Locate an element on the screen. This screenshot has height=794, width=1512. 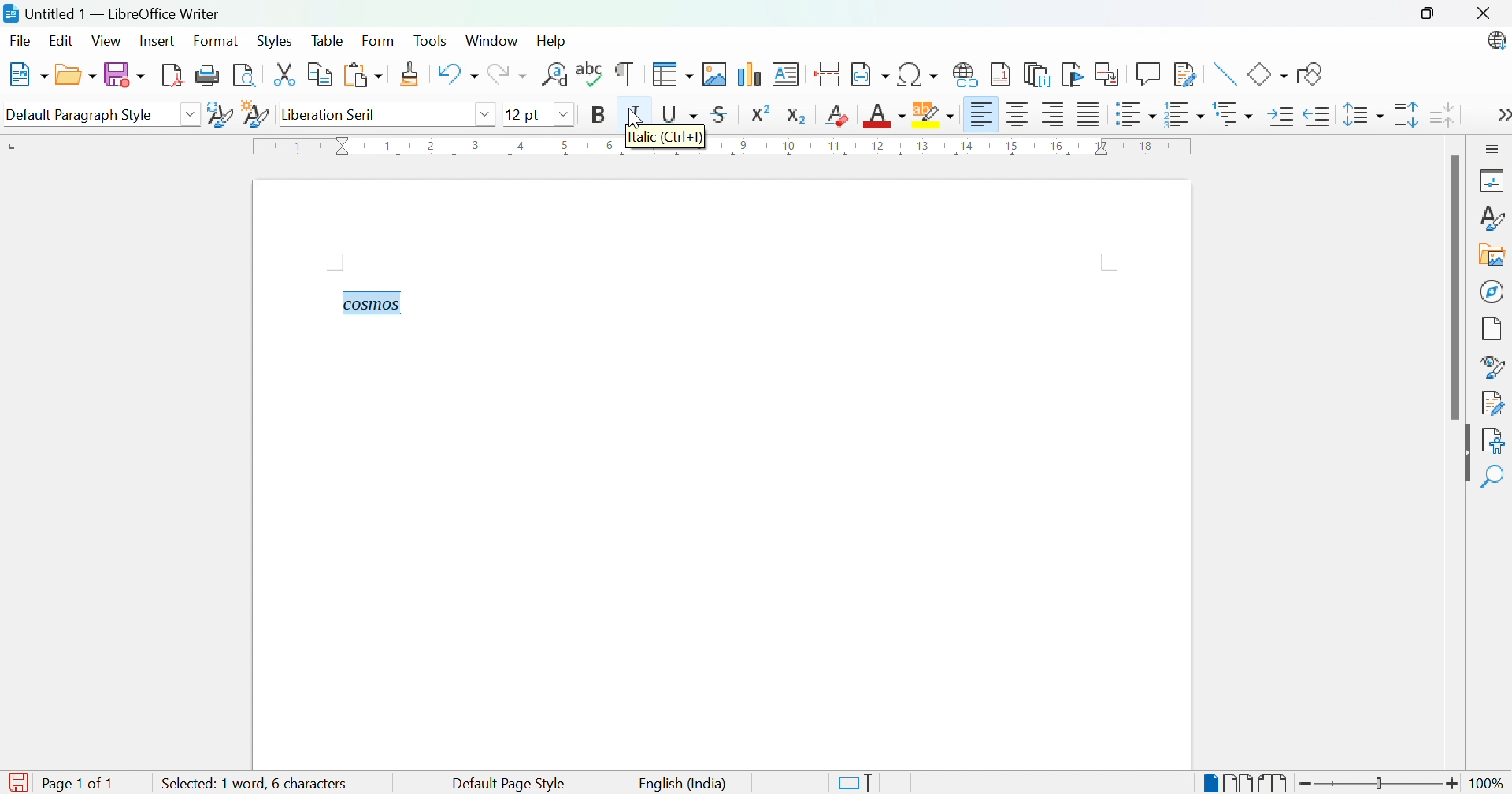
cosmos is located at coordinates (369, 304).